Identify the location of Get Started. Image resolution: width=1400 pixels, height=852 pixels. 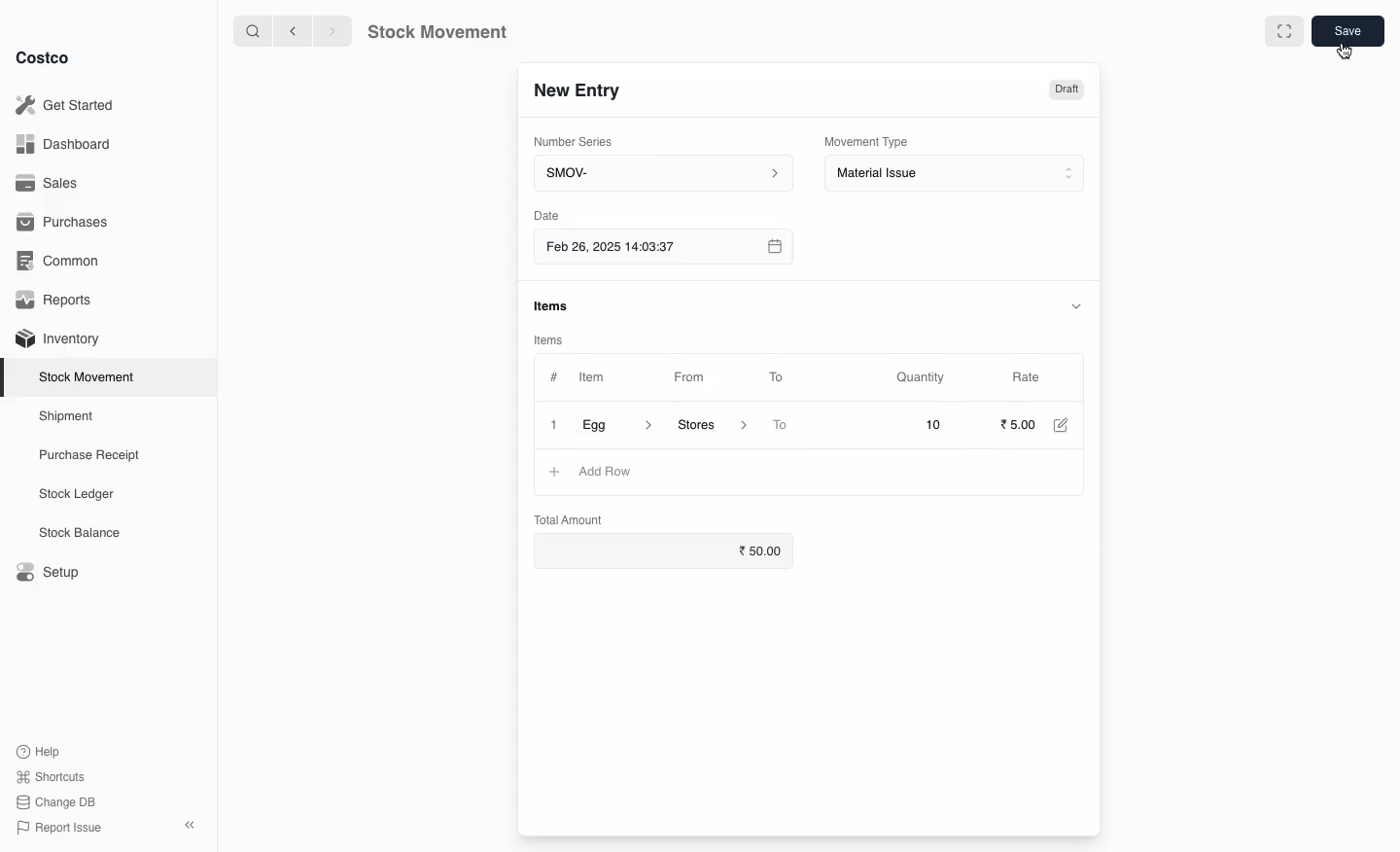
(69, 104).